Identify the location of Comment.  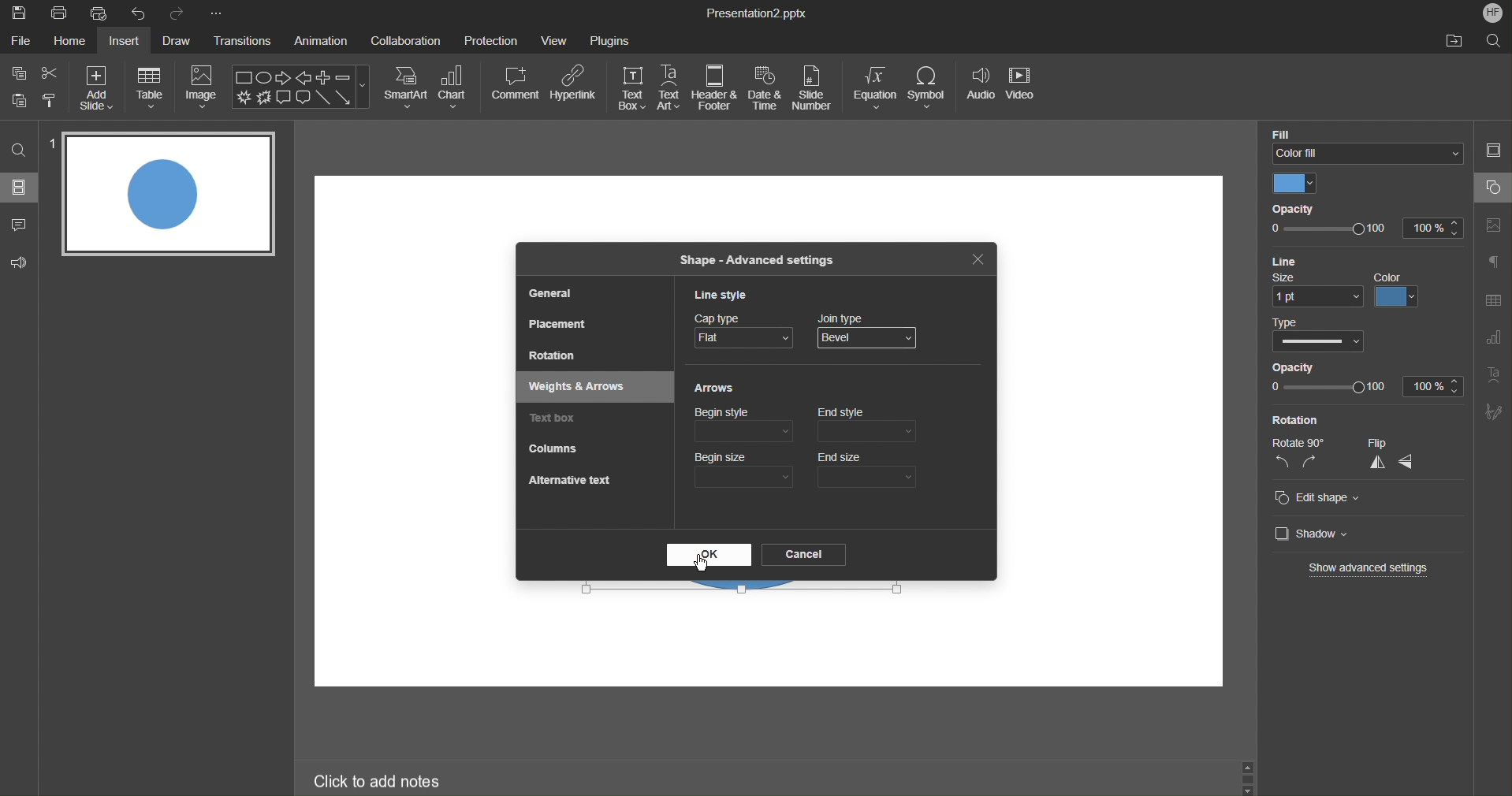
(516, 83).